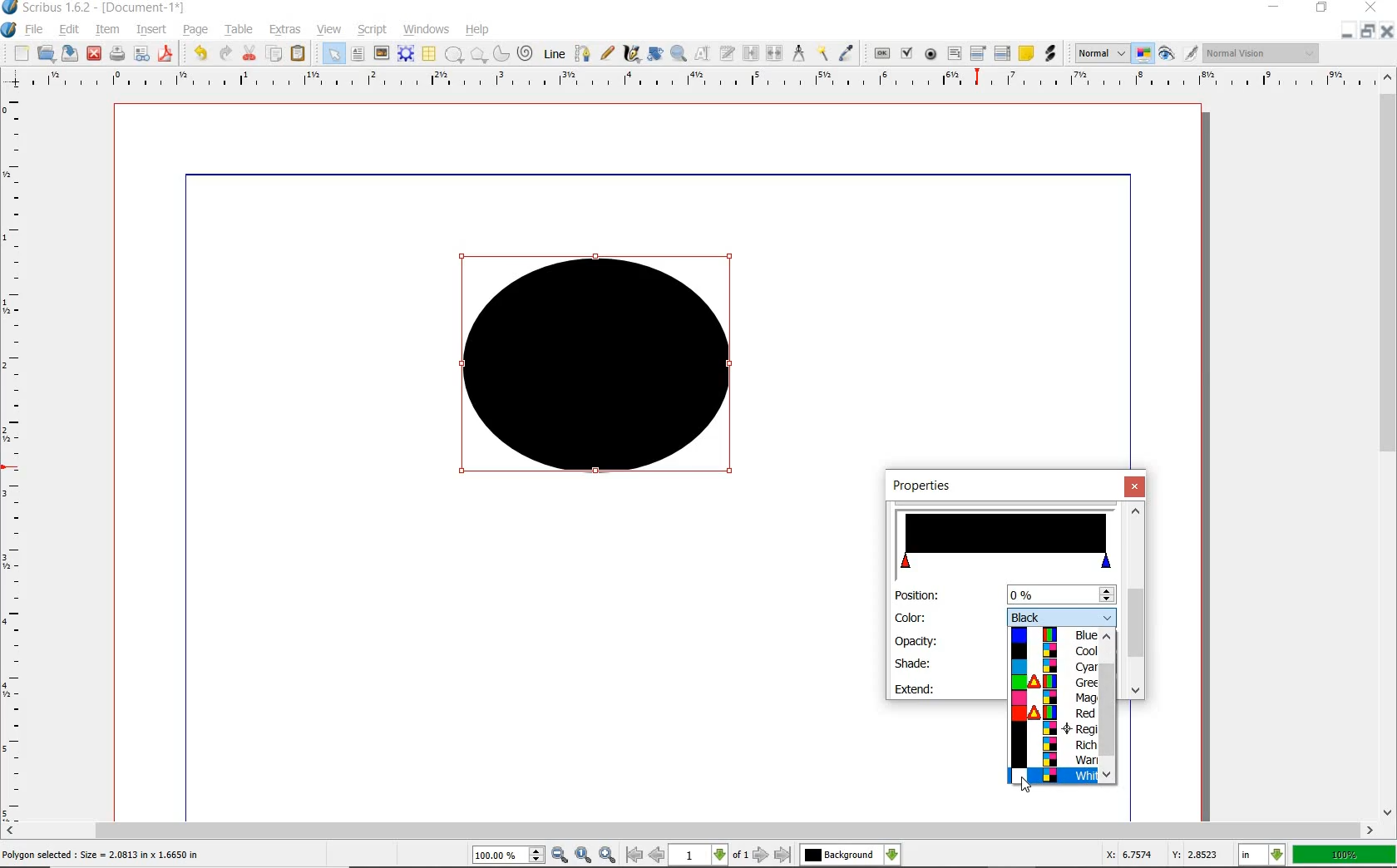 Image resolution: width=1397 pixels, height=868 pixels. I want to click on gradient added, so click(601, 372).